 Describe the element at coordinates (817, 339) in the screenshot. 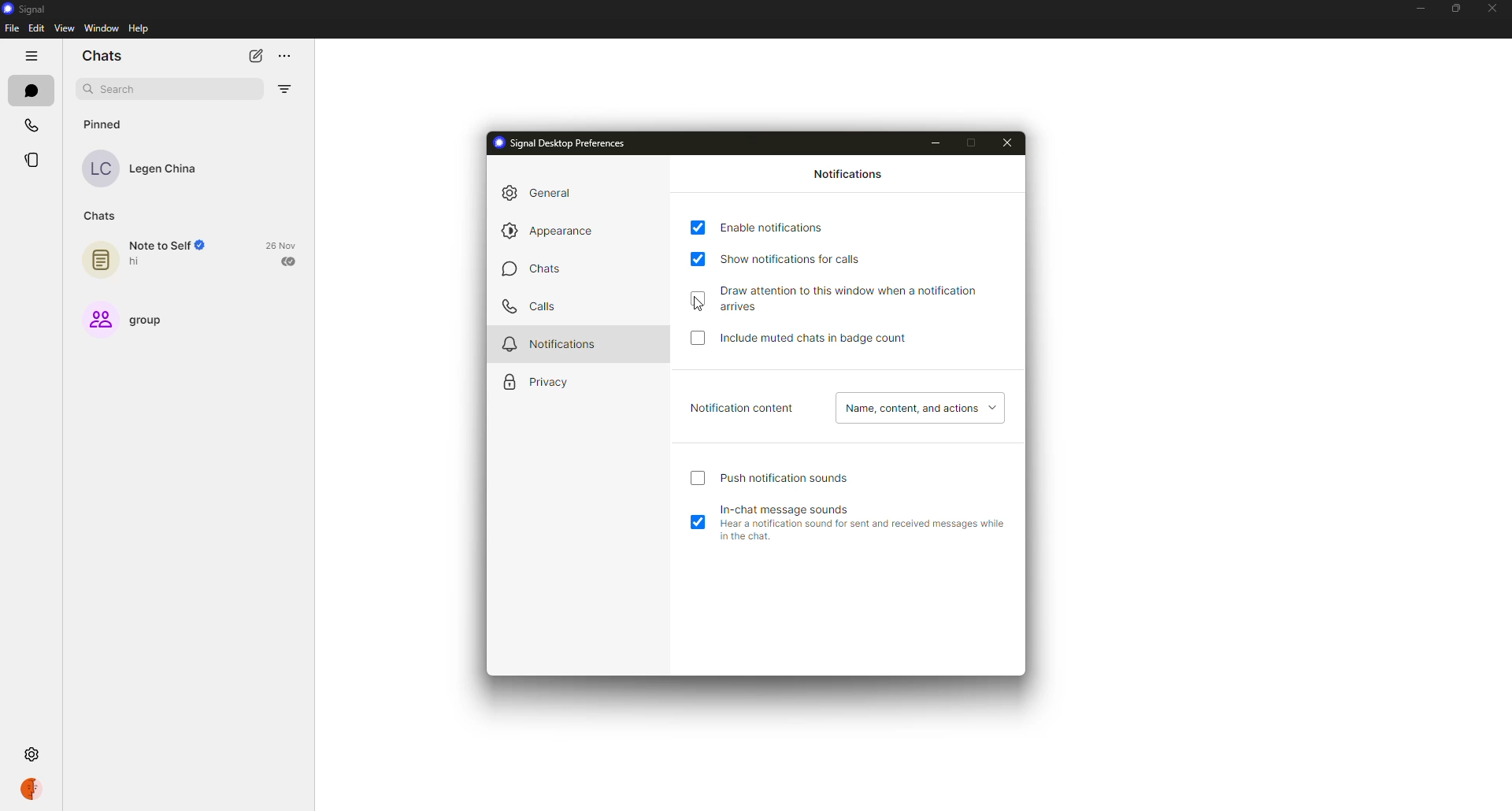

I see `include muted chats in badge count` at that location.